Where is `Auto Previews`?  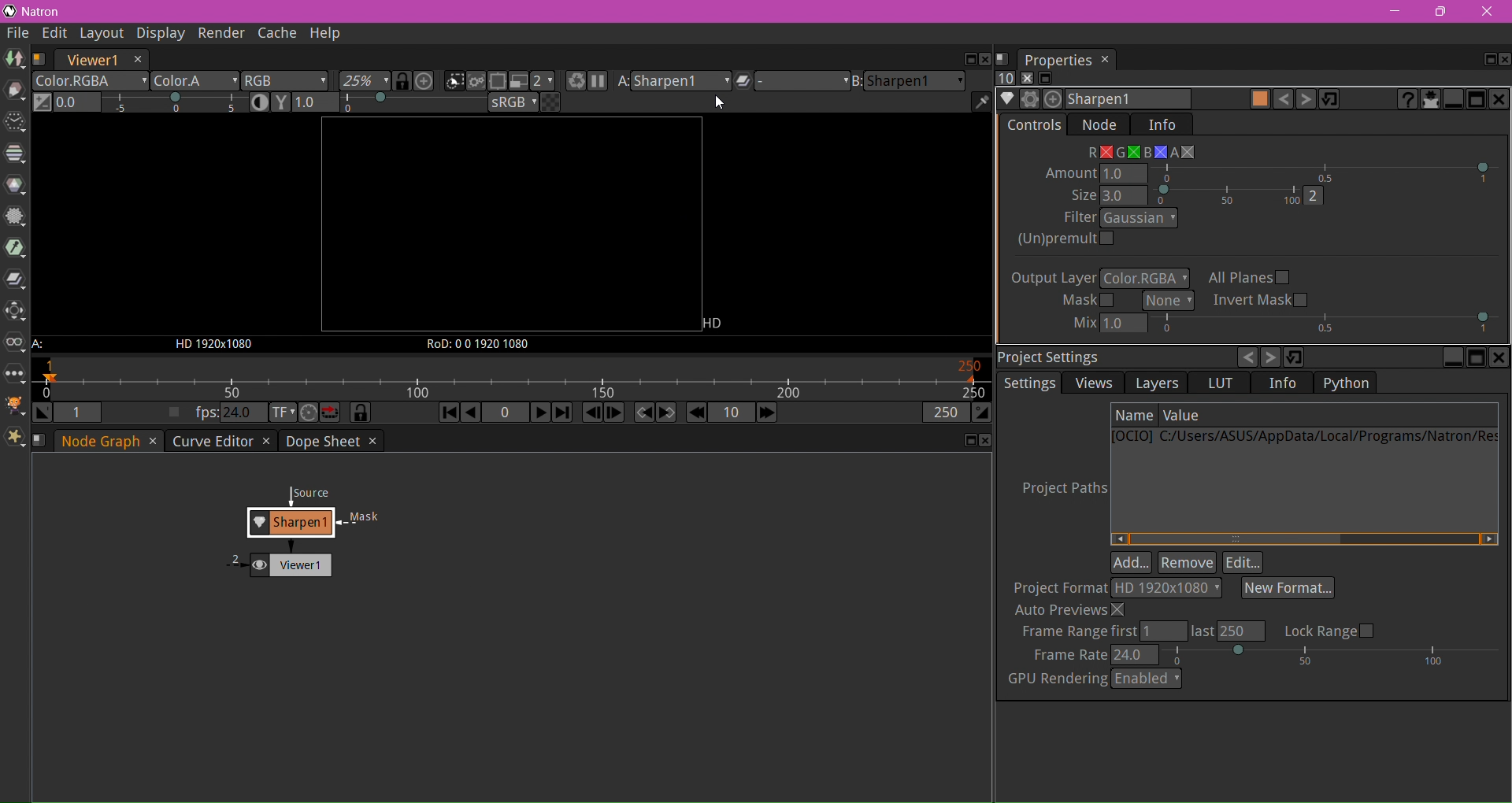
Auto Previews is located at coordinates (1072, 610).